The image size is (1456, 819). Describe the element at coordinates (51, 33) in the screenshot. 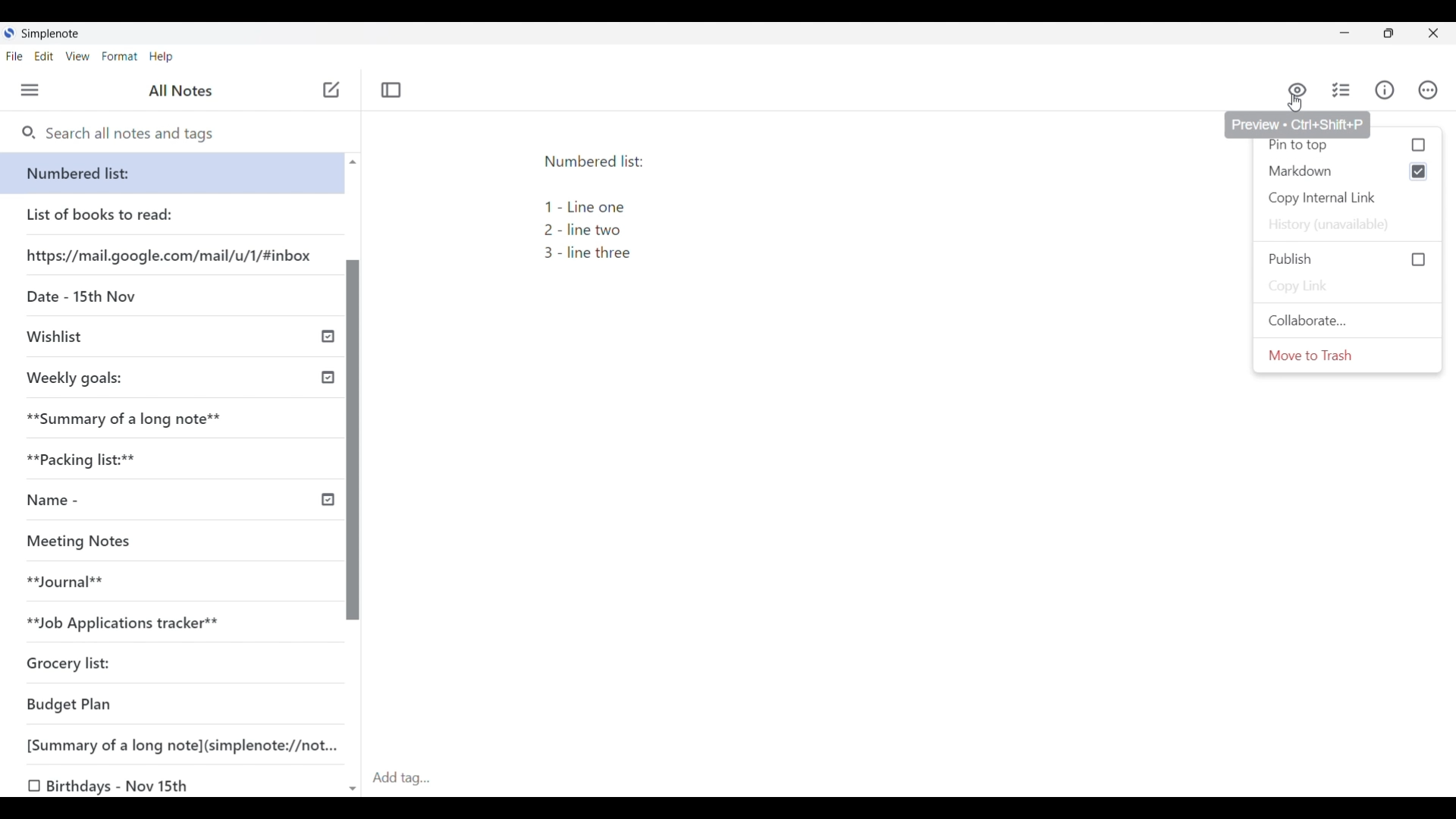

I see `Simplenote` at that location.